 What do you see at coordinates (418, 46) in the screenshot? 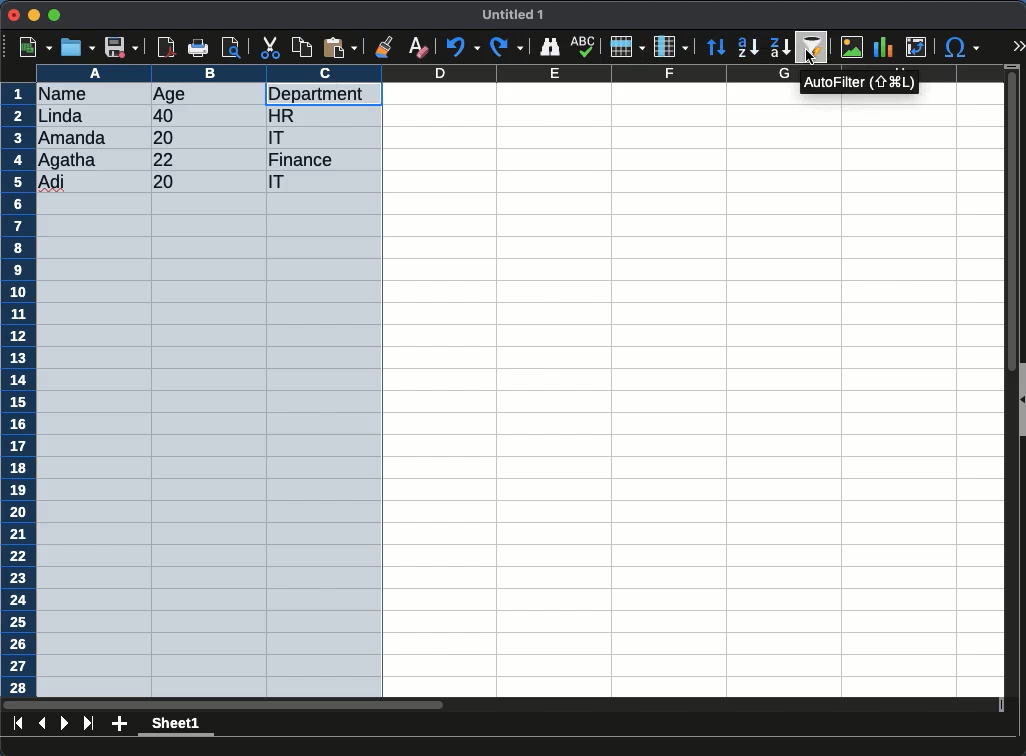
I see `clear formatting` at bounding box center [418, 46].